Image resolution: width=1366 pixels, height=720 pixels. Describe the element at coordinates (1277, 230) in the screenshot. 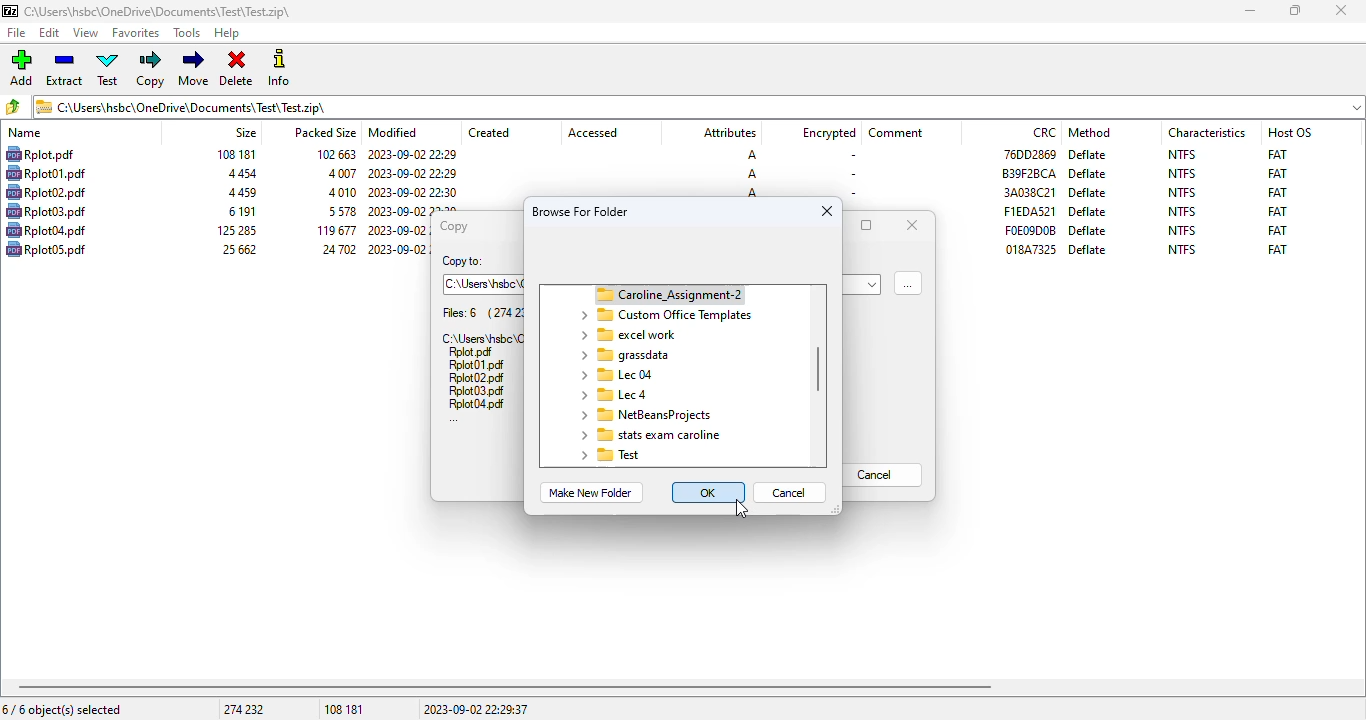

I see `FAT` at that location.